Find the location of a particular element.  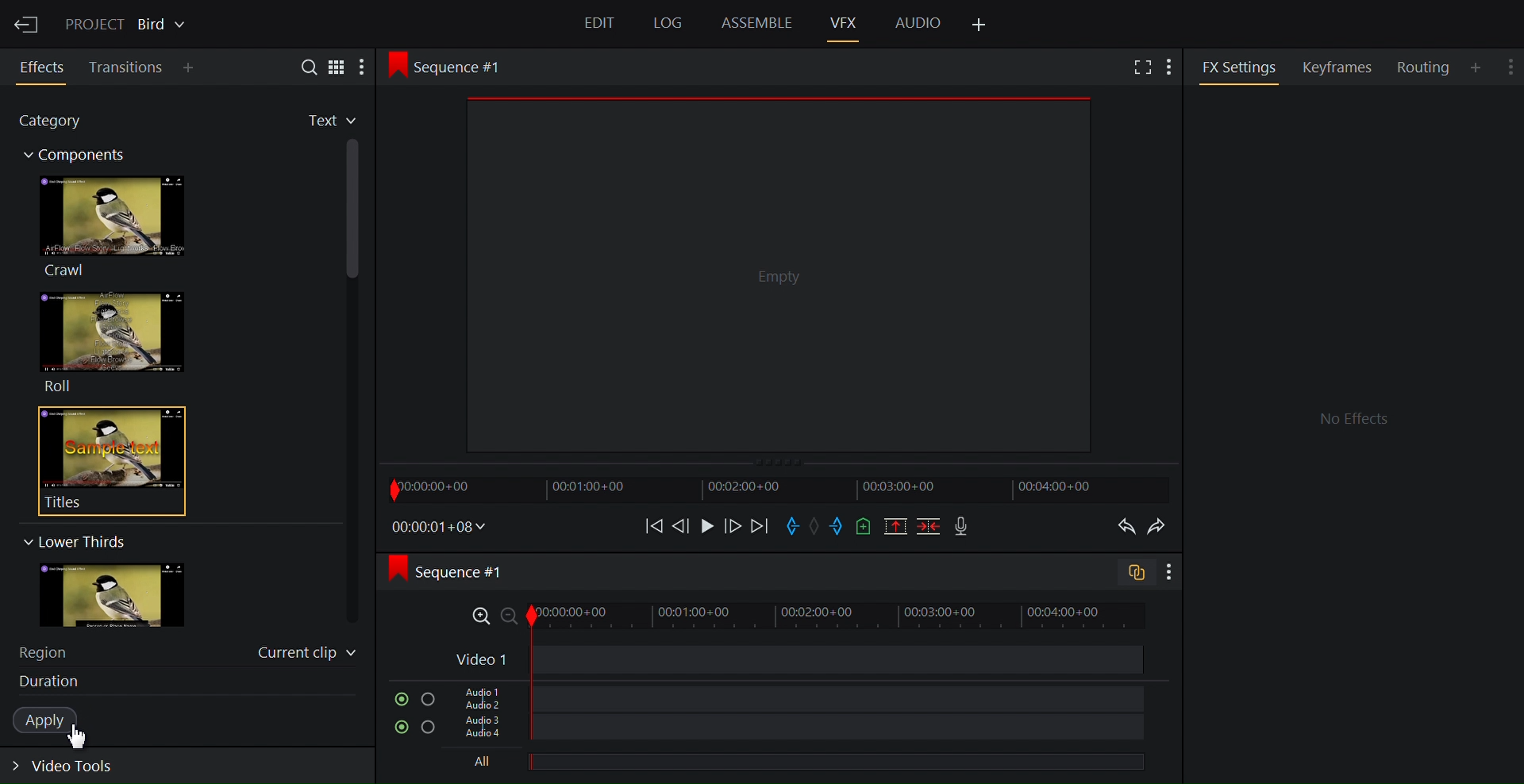

Delete/cut is located at coordinates (930, 528).